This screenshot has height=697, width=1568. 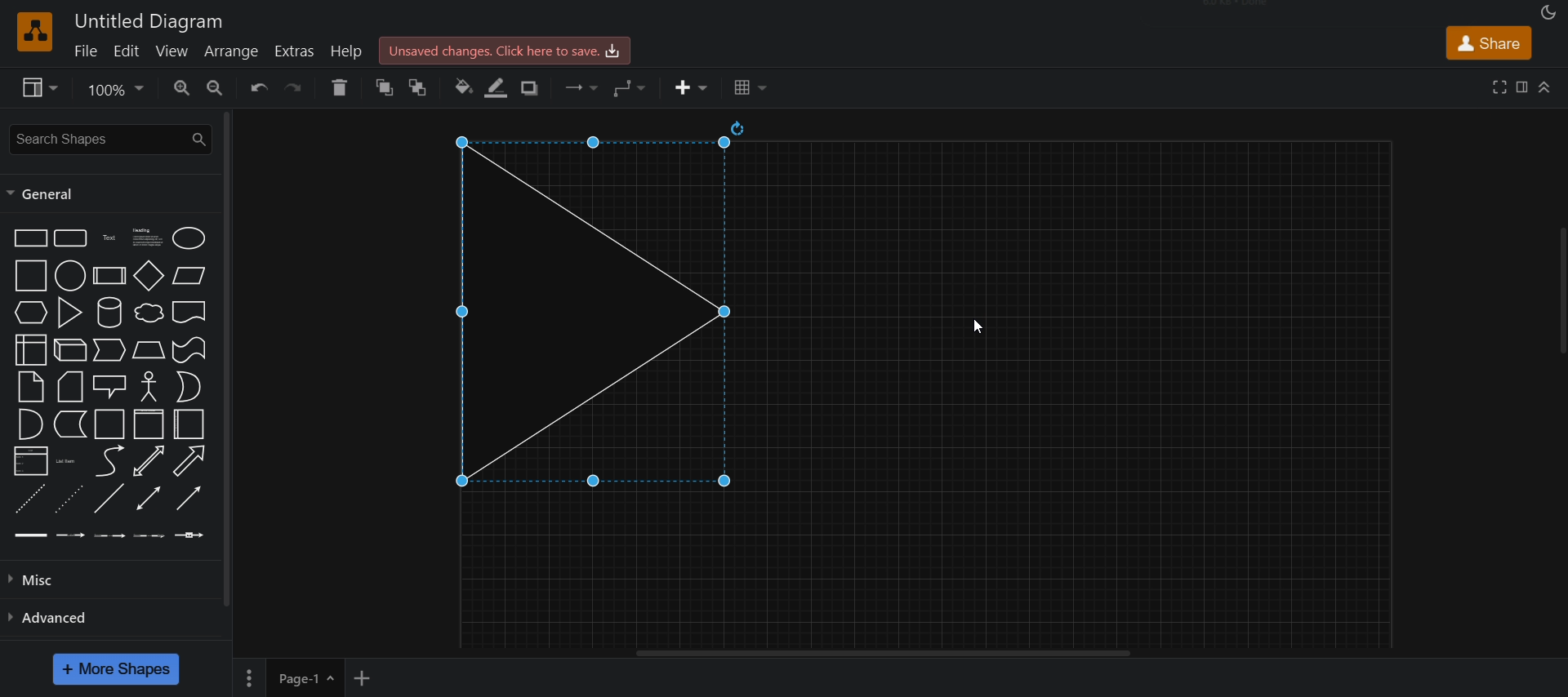 I want to click on view, so click(x=41, y=89).